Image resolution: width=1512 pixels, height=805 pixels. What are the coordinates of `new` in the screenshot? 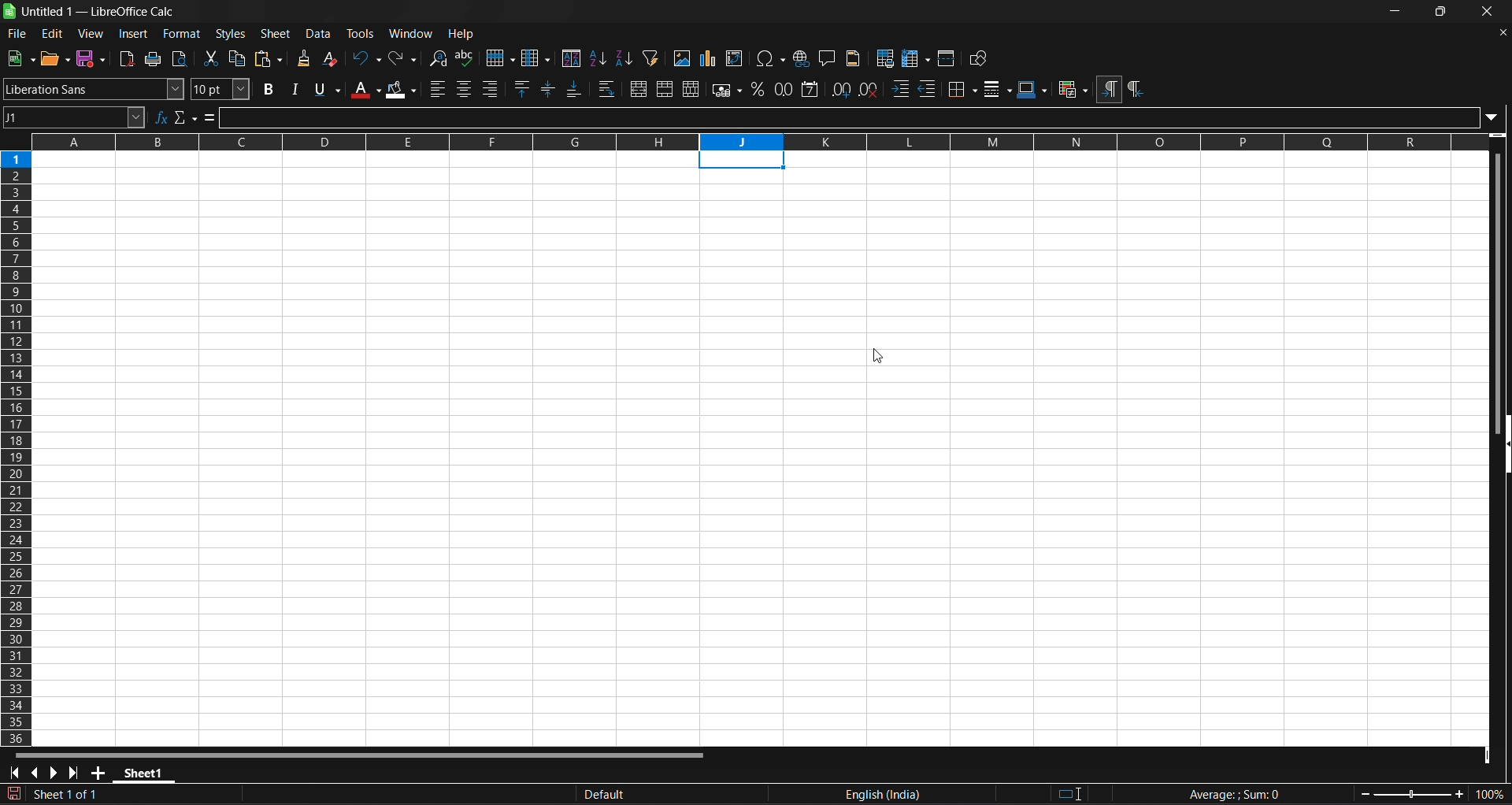 It's located at (21, 57).